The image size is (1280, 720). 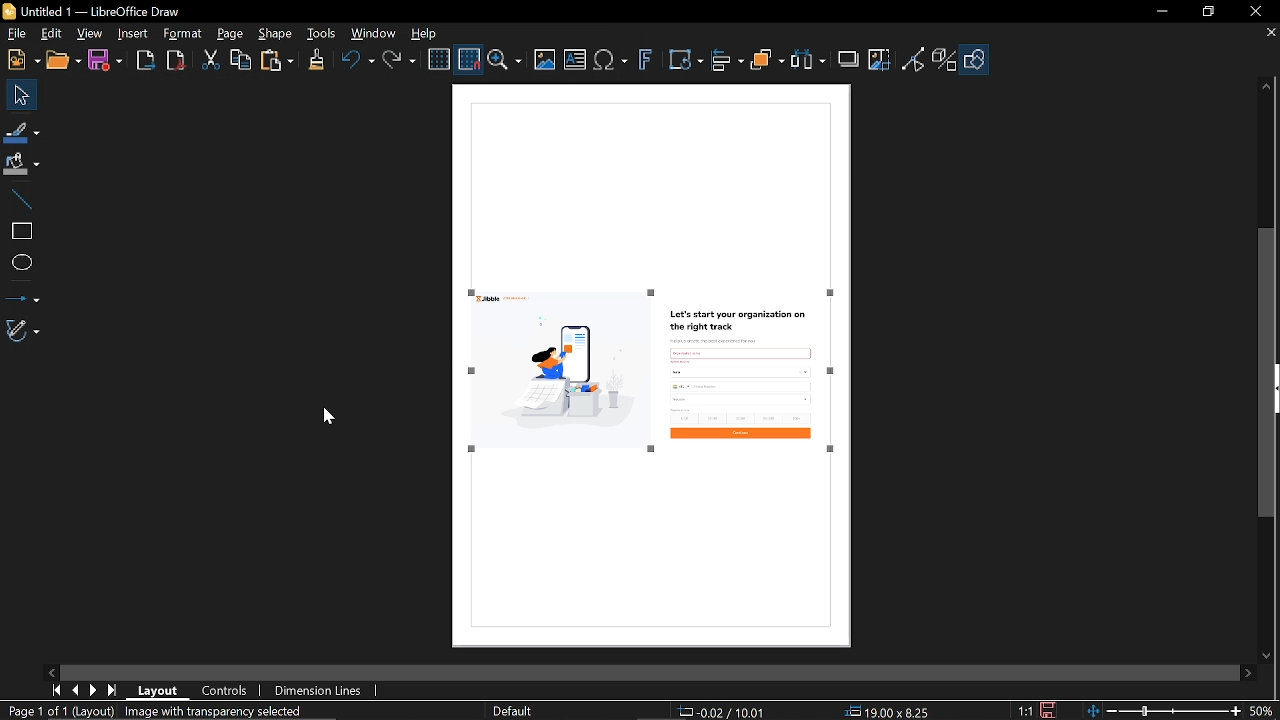 I want to click on Image added, so click(x=655, y=377).